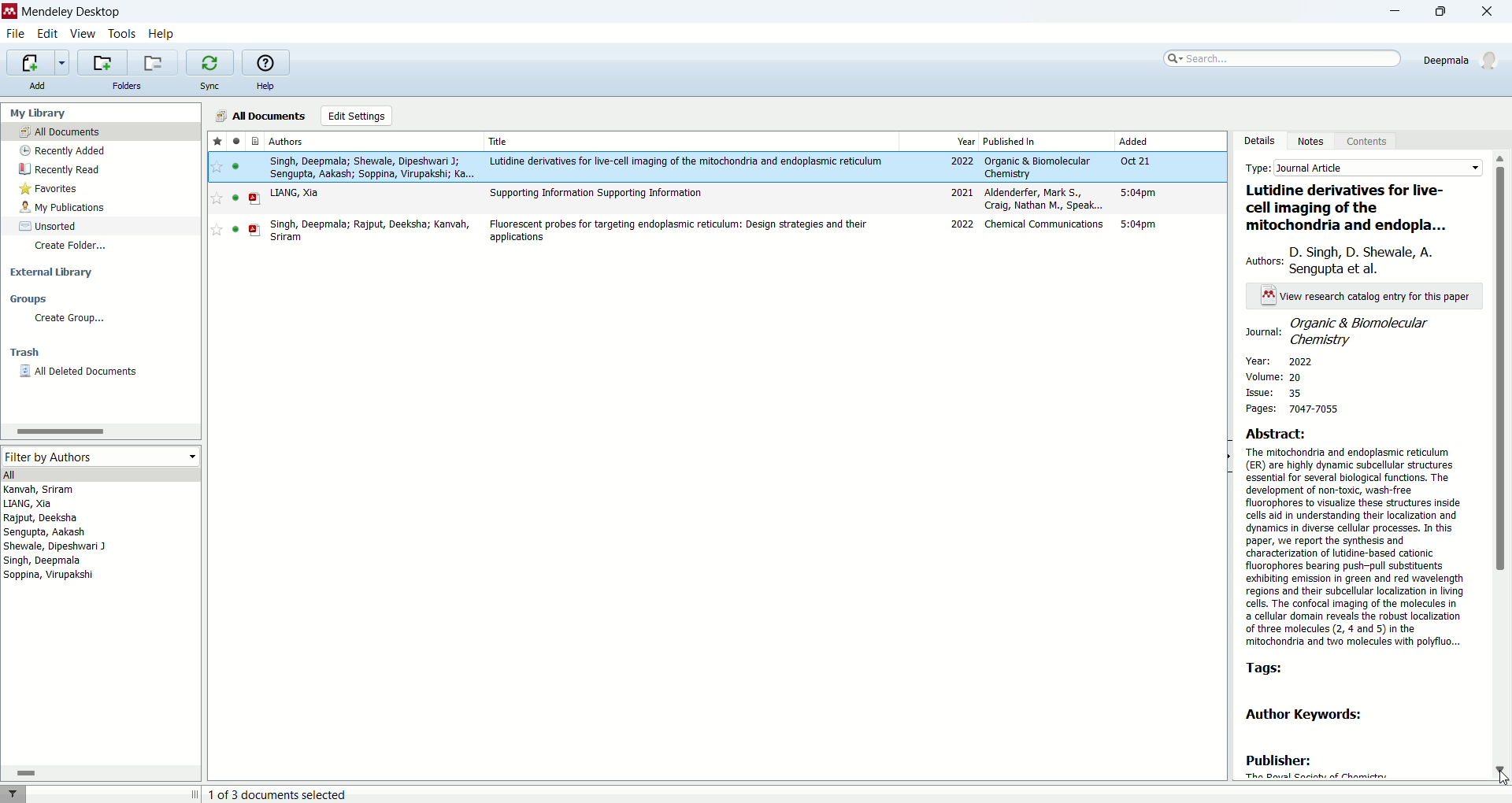 The image size is (1512, 803). Describe the element at coordinates (1134, 161) in the screenshot. I see `Oct 21` at that location.